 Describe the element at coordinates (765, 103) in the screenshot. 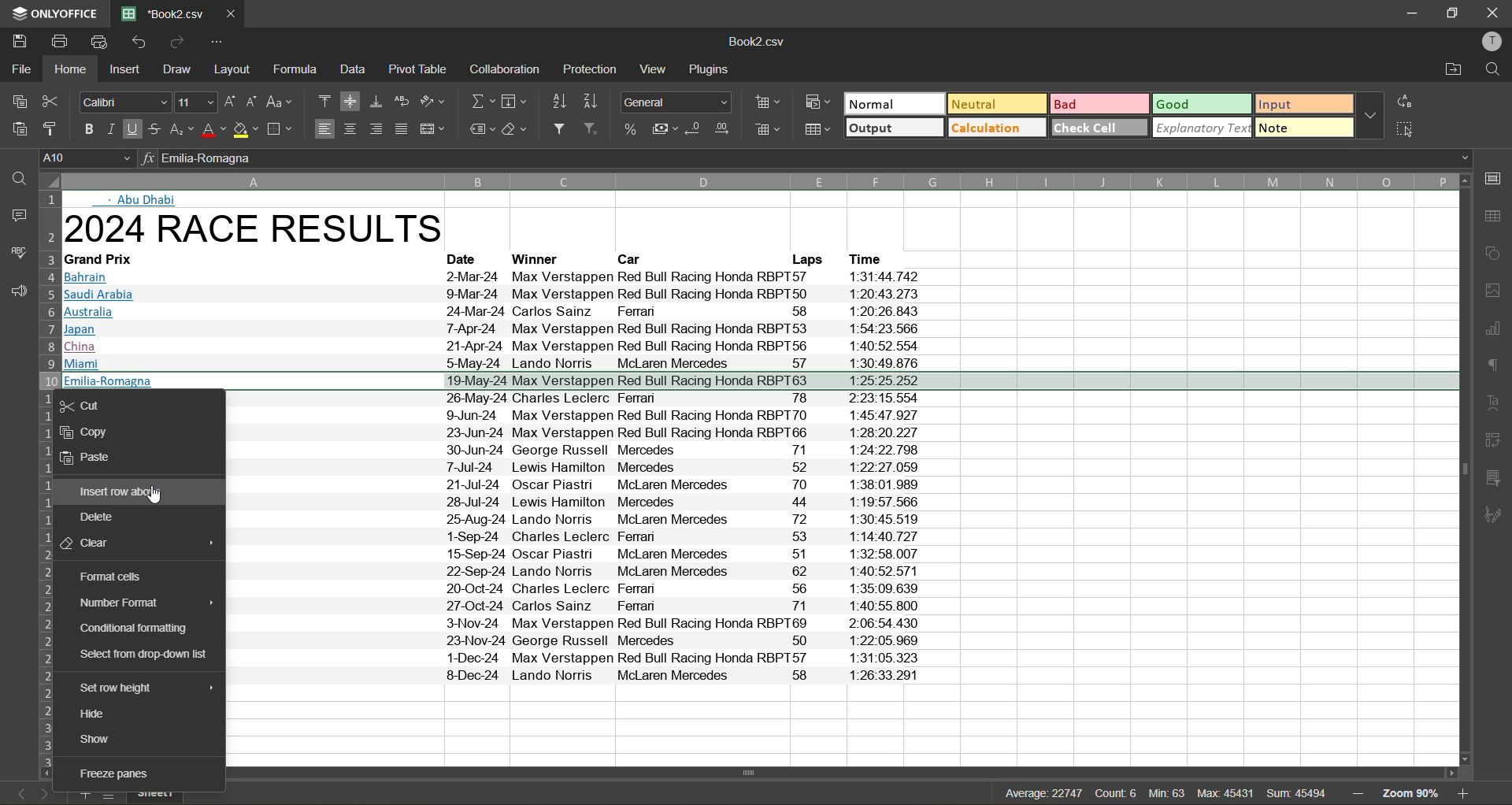

I see `insert cells` at that location.